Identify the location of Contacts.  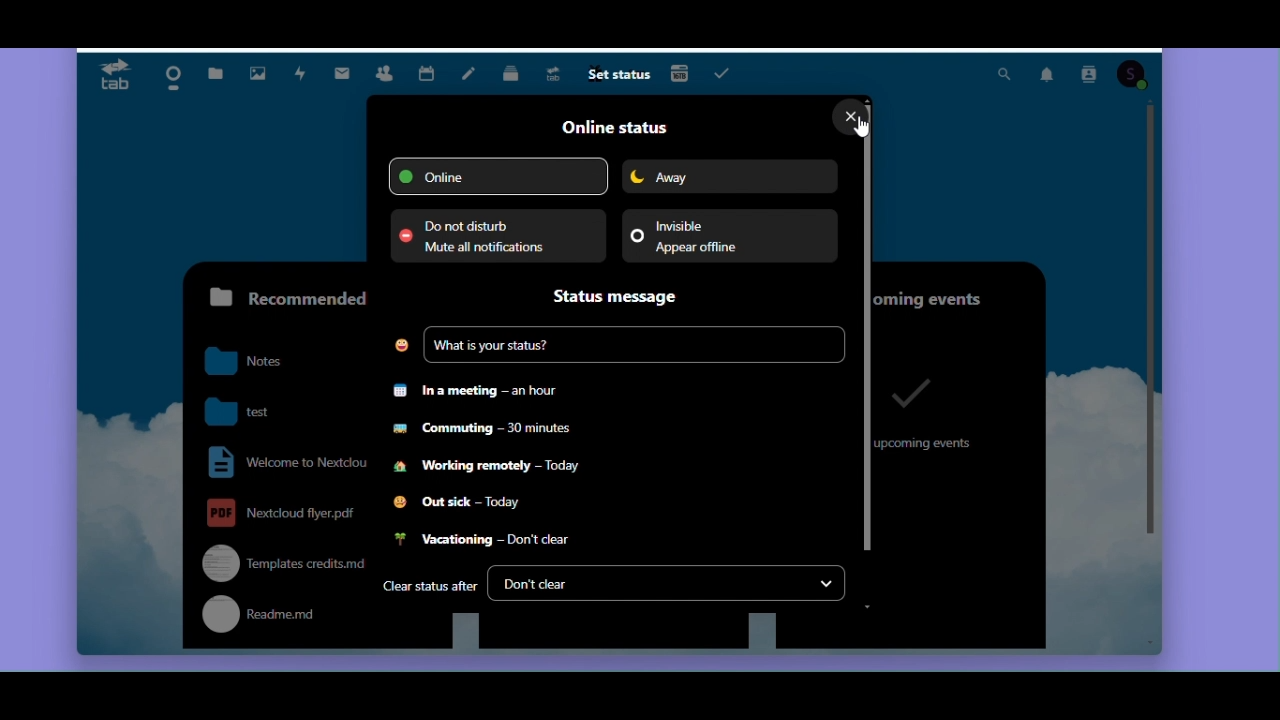
(384, 71).